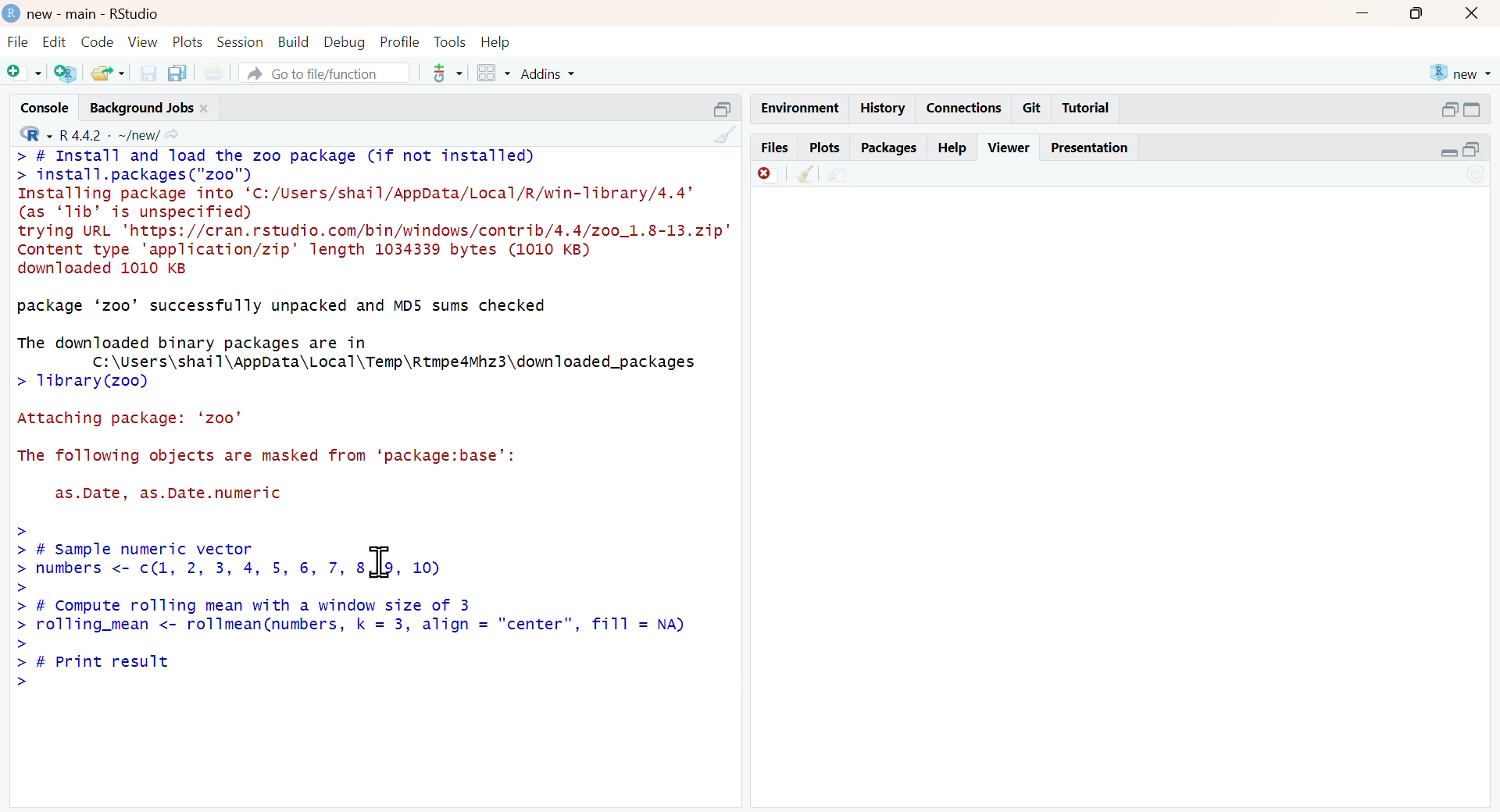 The width and height of the screenshot is (1500, 812). What do you see at coordinates (726, 134) in the screenshot?
I see `clean` at bounding box center [726, 134].